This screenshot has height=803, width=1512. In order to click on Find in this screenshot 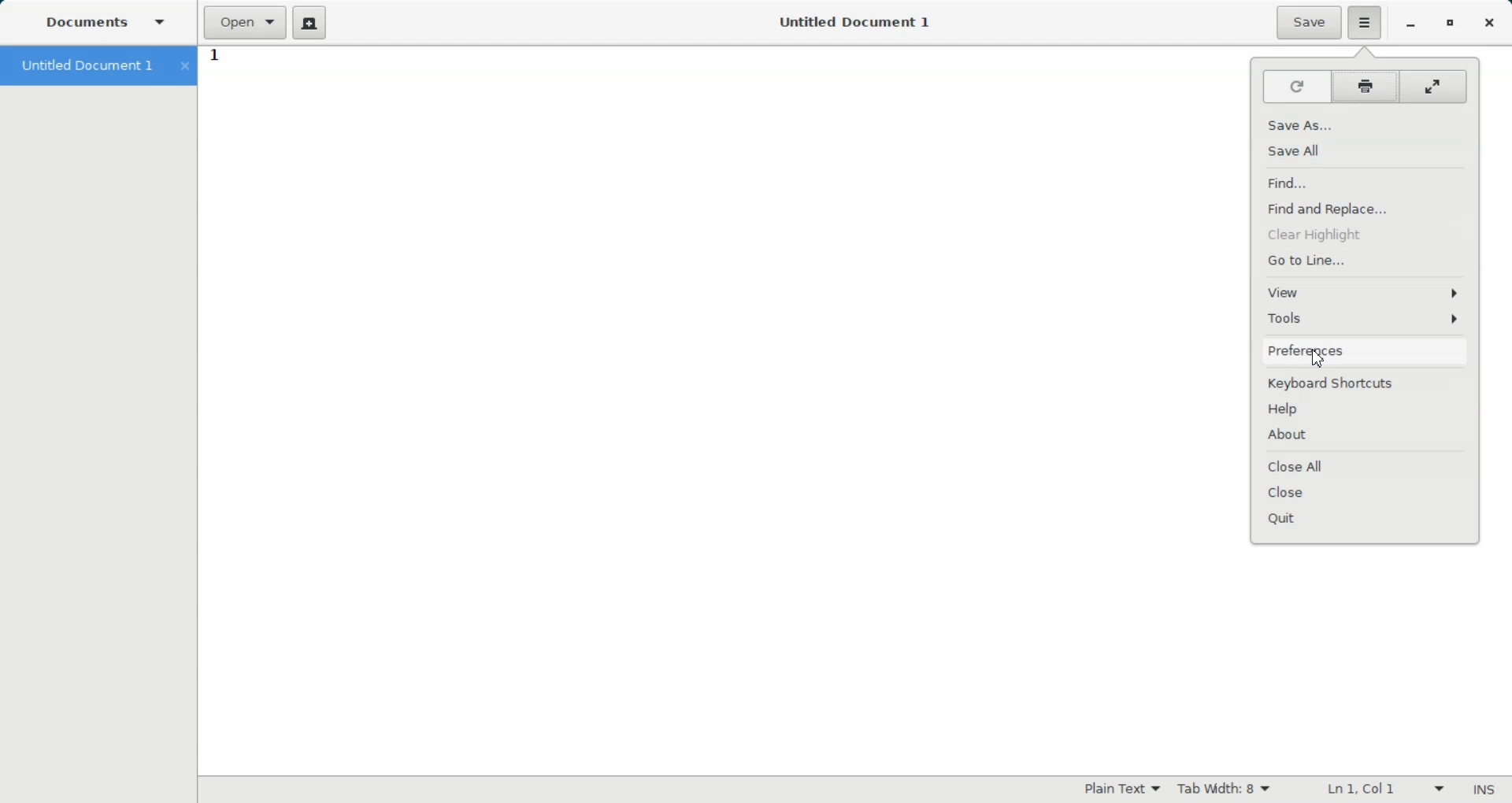, I will do `click(1365, 183)`.